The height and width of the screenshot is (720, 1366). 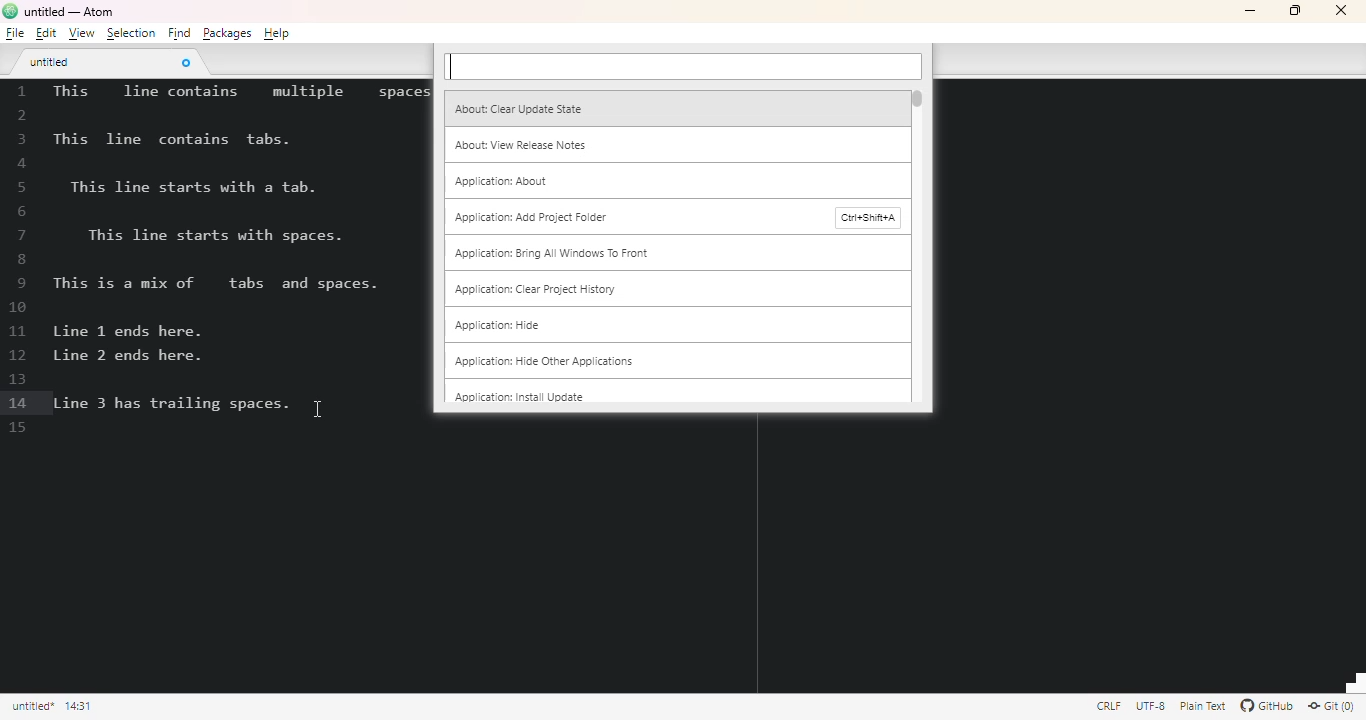 I want to click on selection, so click(x=131, y=33).